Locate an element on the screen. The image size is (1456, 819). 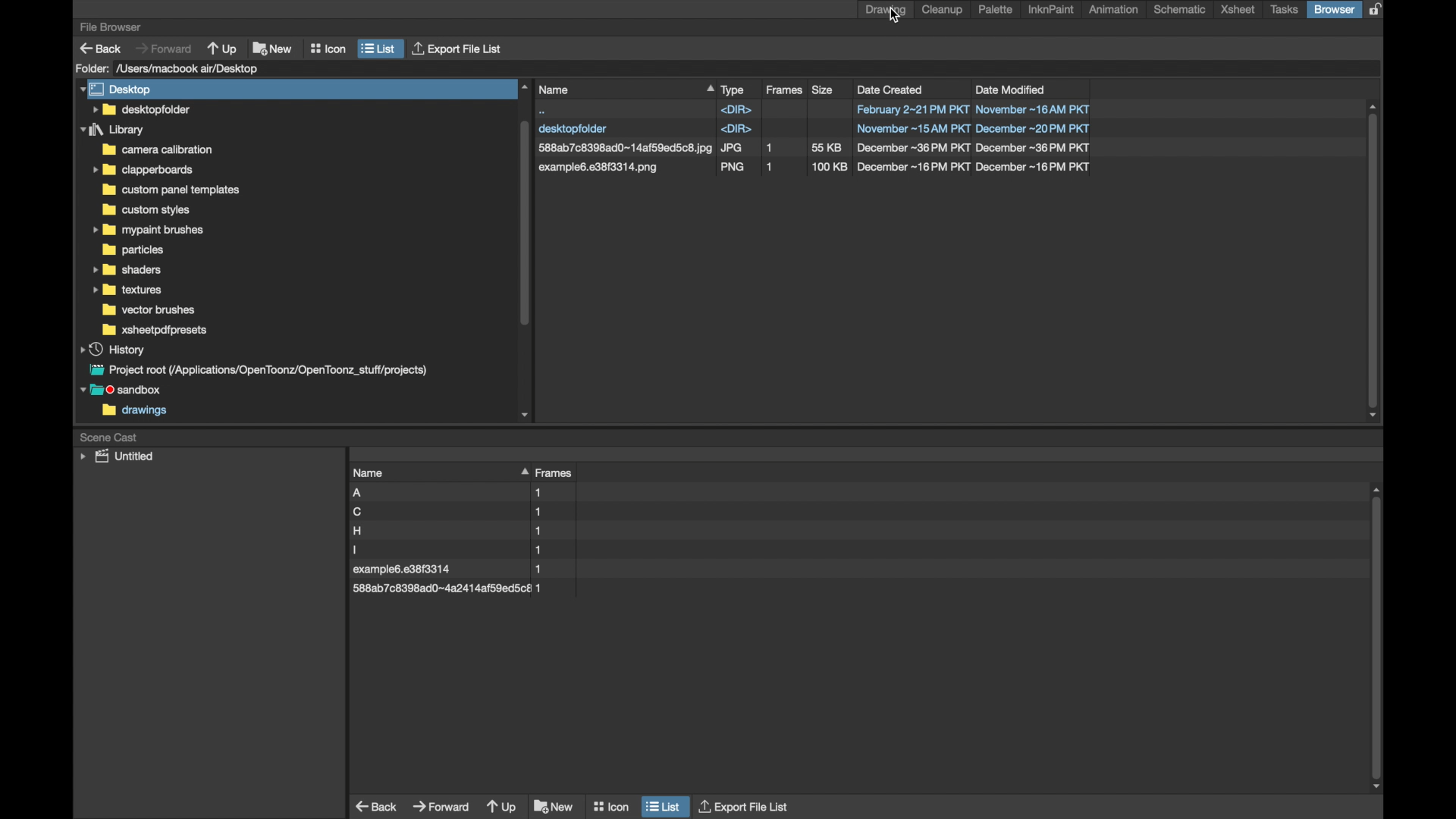
forward is located at coordinates (164, 48).